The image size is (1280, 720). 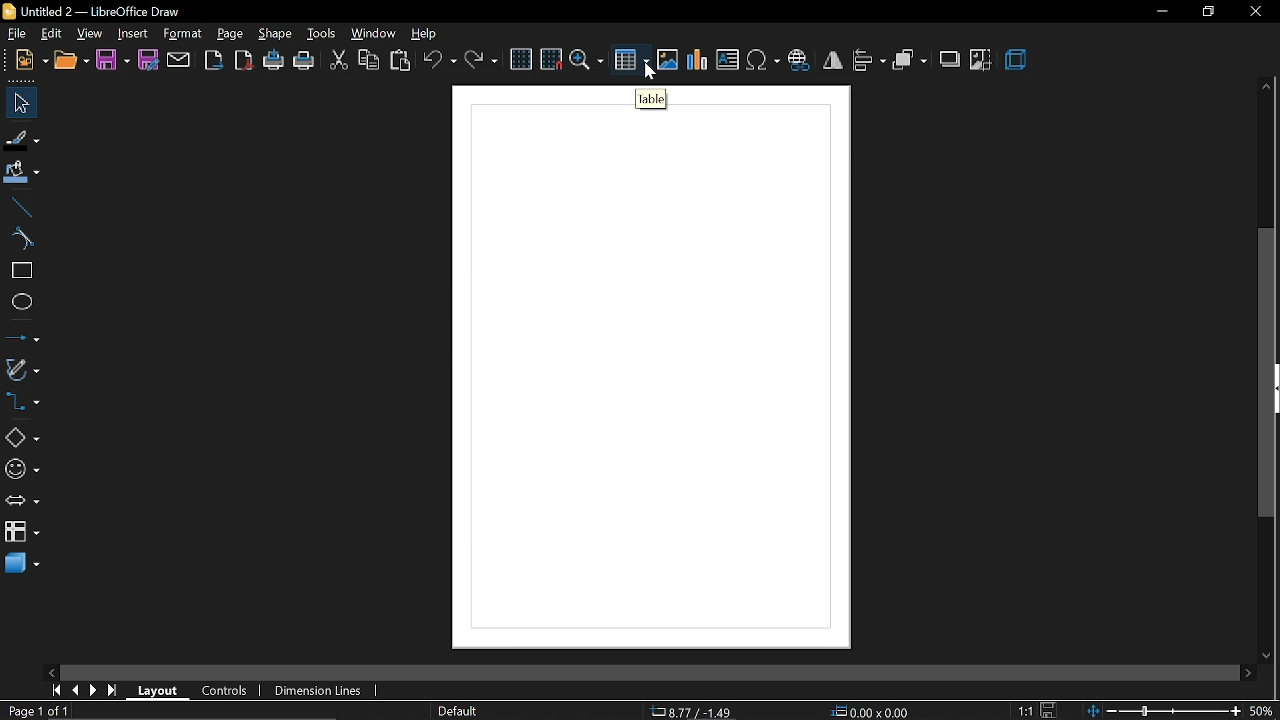 What do you see at coordinates (24, 340) in the screenshot?
I see `lines and arrows` at bounding box center [24, 340].